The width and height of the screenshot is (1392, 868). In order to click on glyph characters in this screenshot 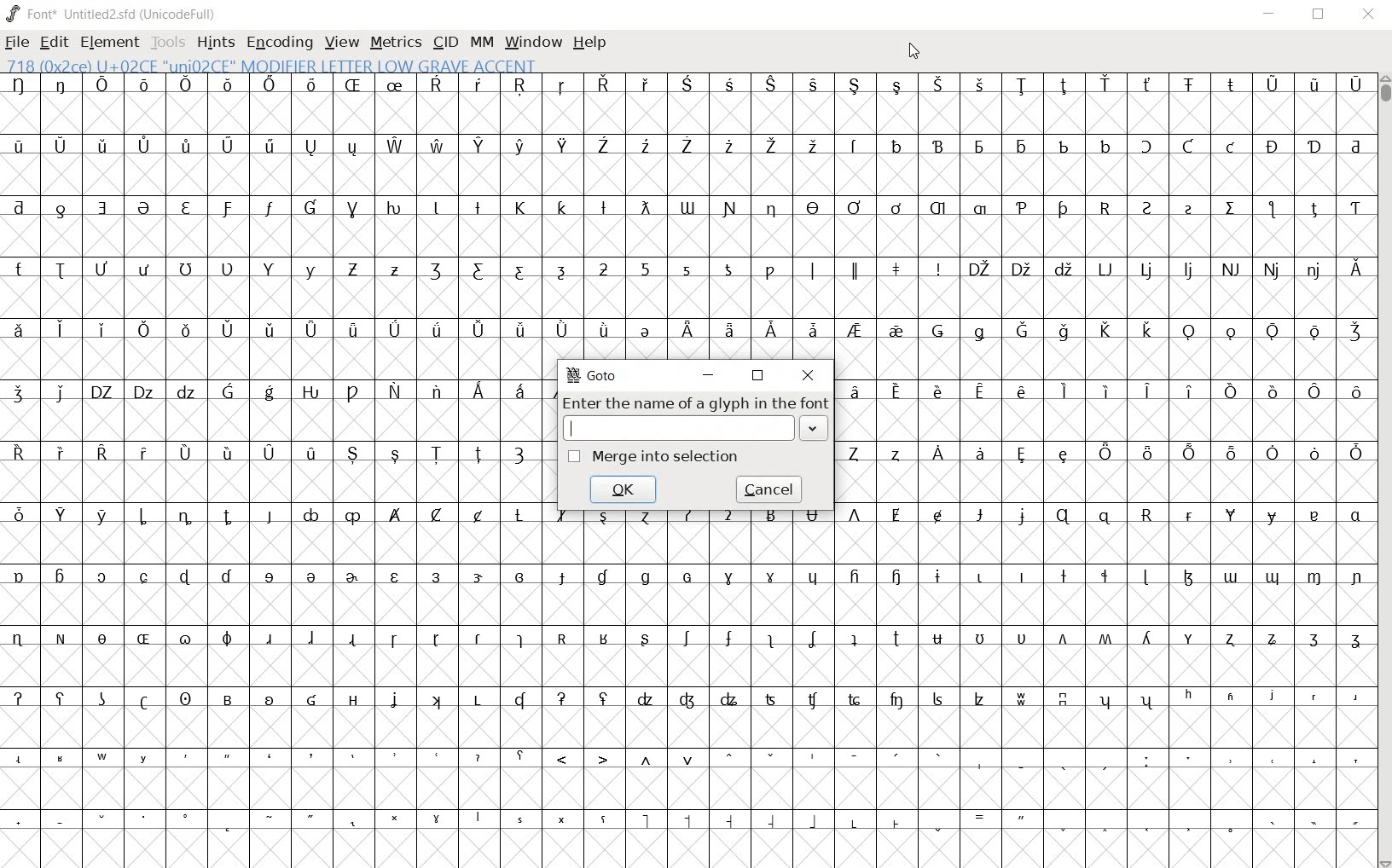, I will do `click(274, 471)`.